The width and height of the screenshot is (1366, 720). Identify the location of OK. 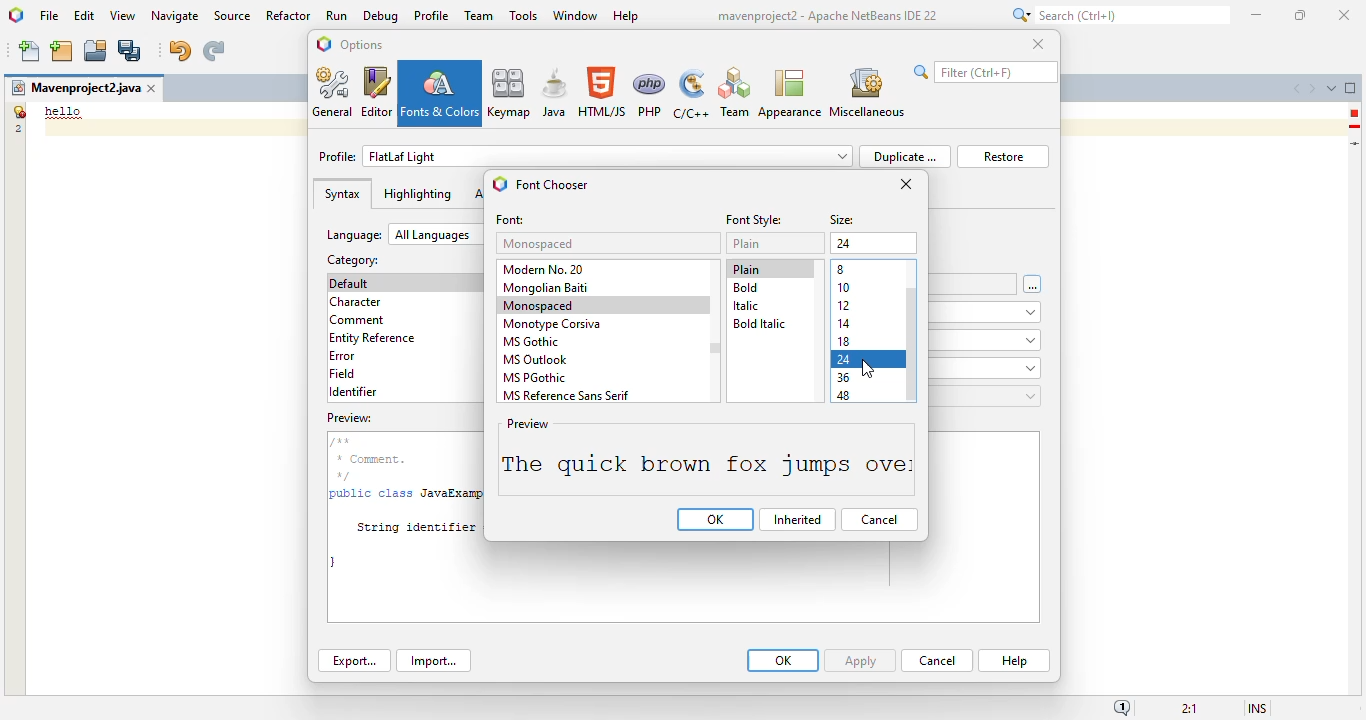
(716, 520).